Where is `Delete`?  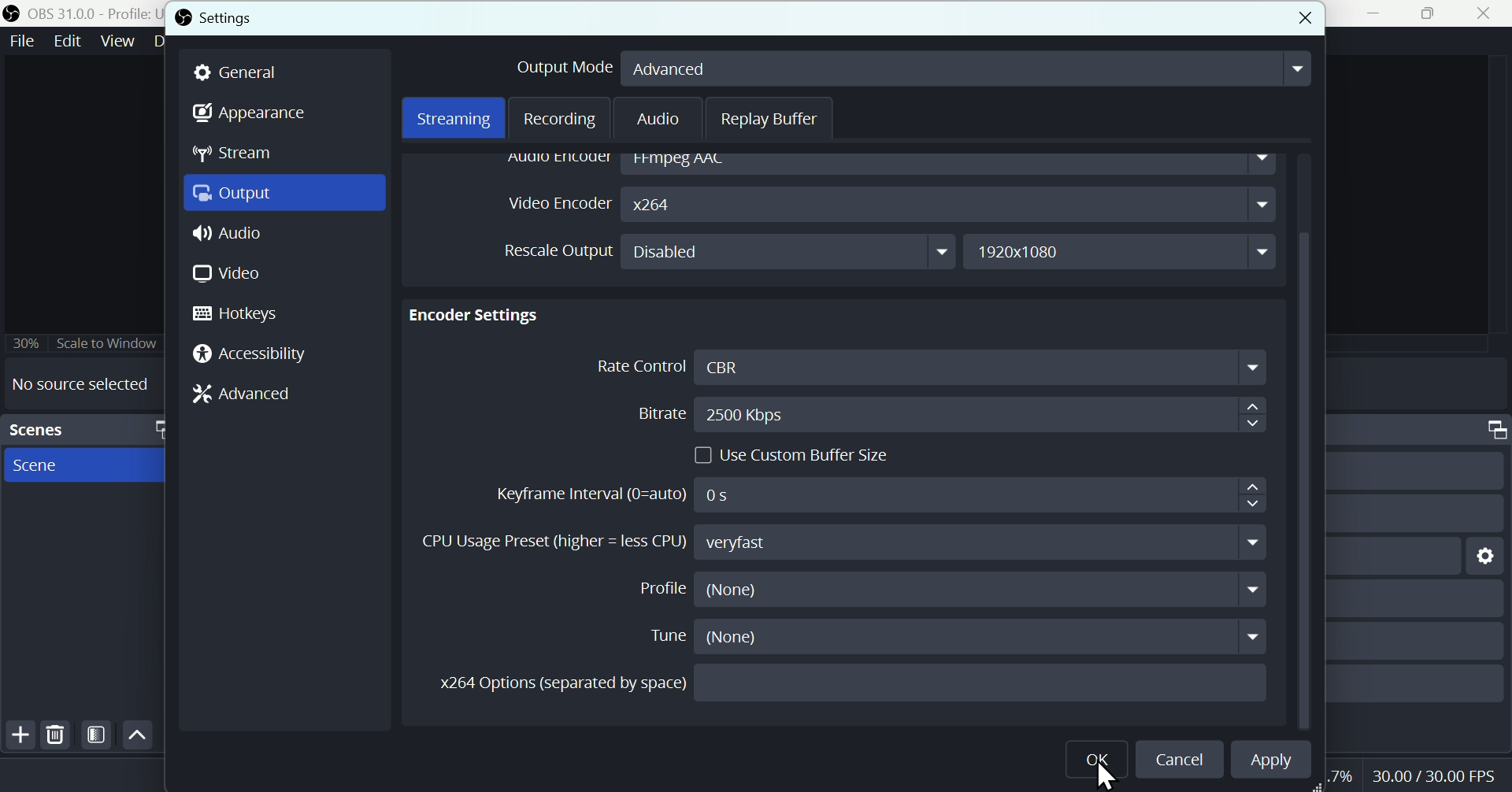
Delete is located at coordinates (57, 734).